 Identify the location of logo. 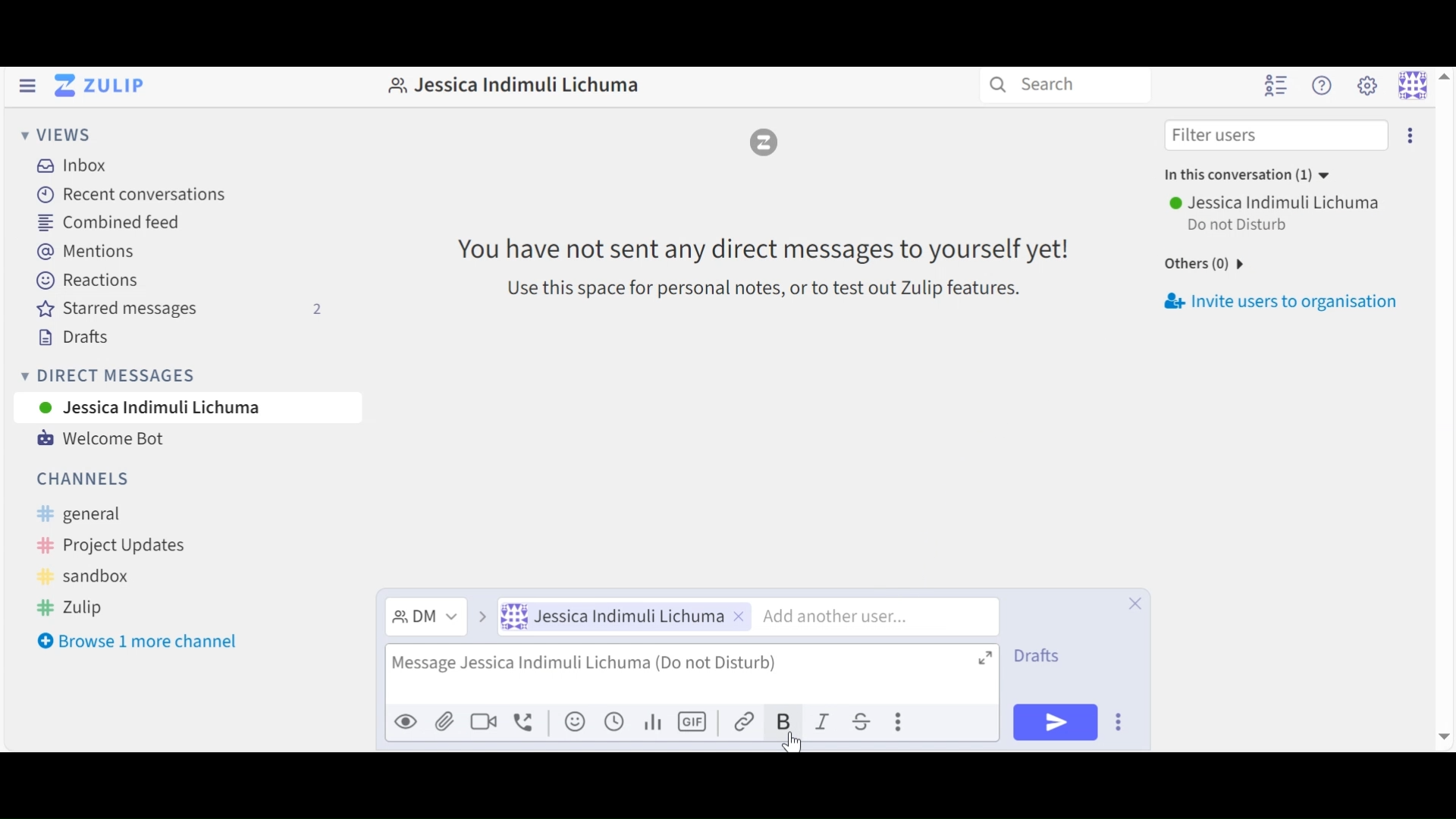
(766, 142).